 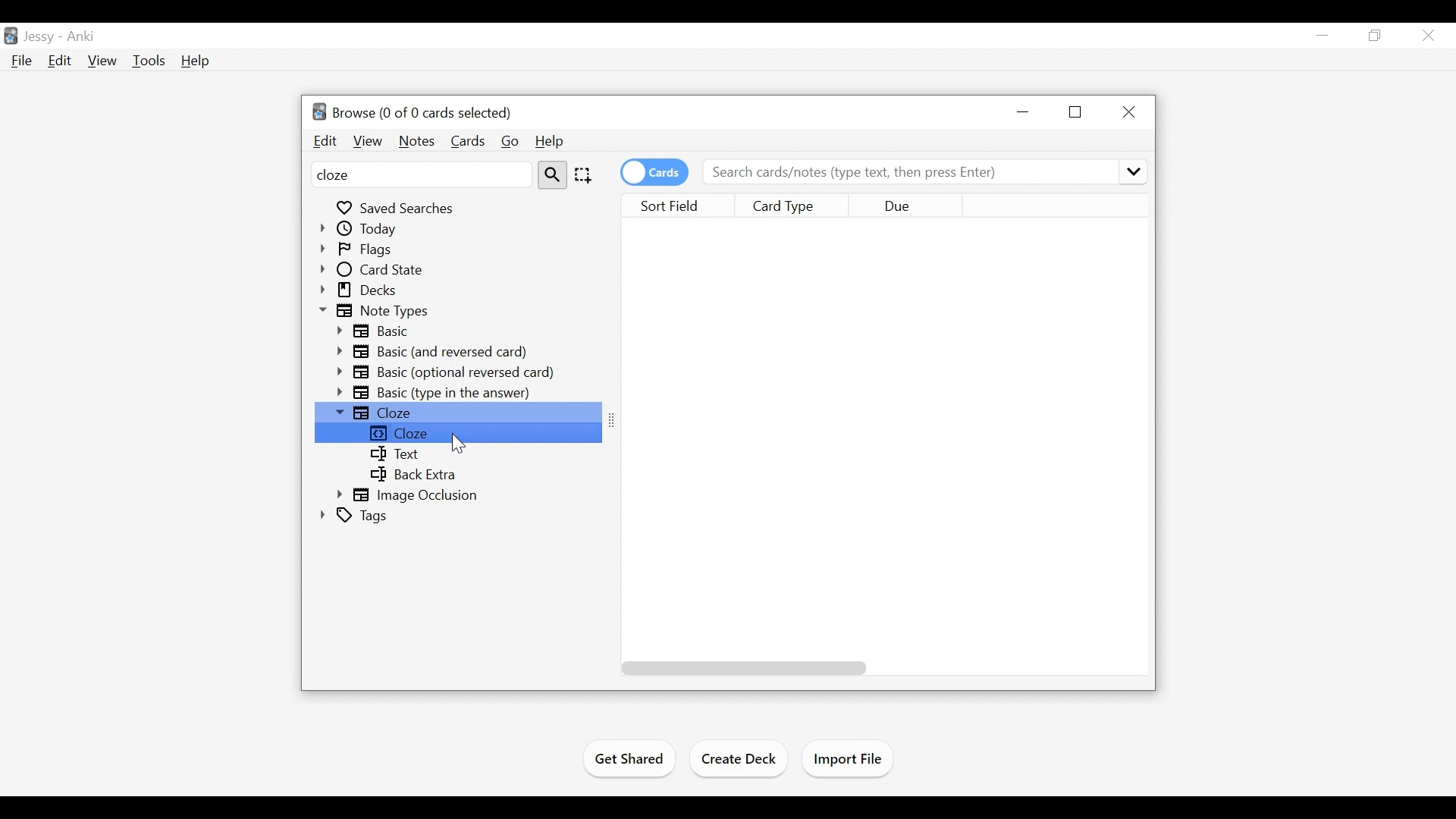 I want to click on Help, so click(x=550, y=140).